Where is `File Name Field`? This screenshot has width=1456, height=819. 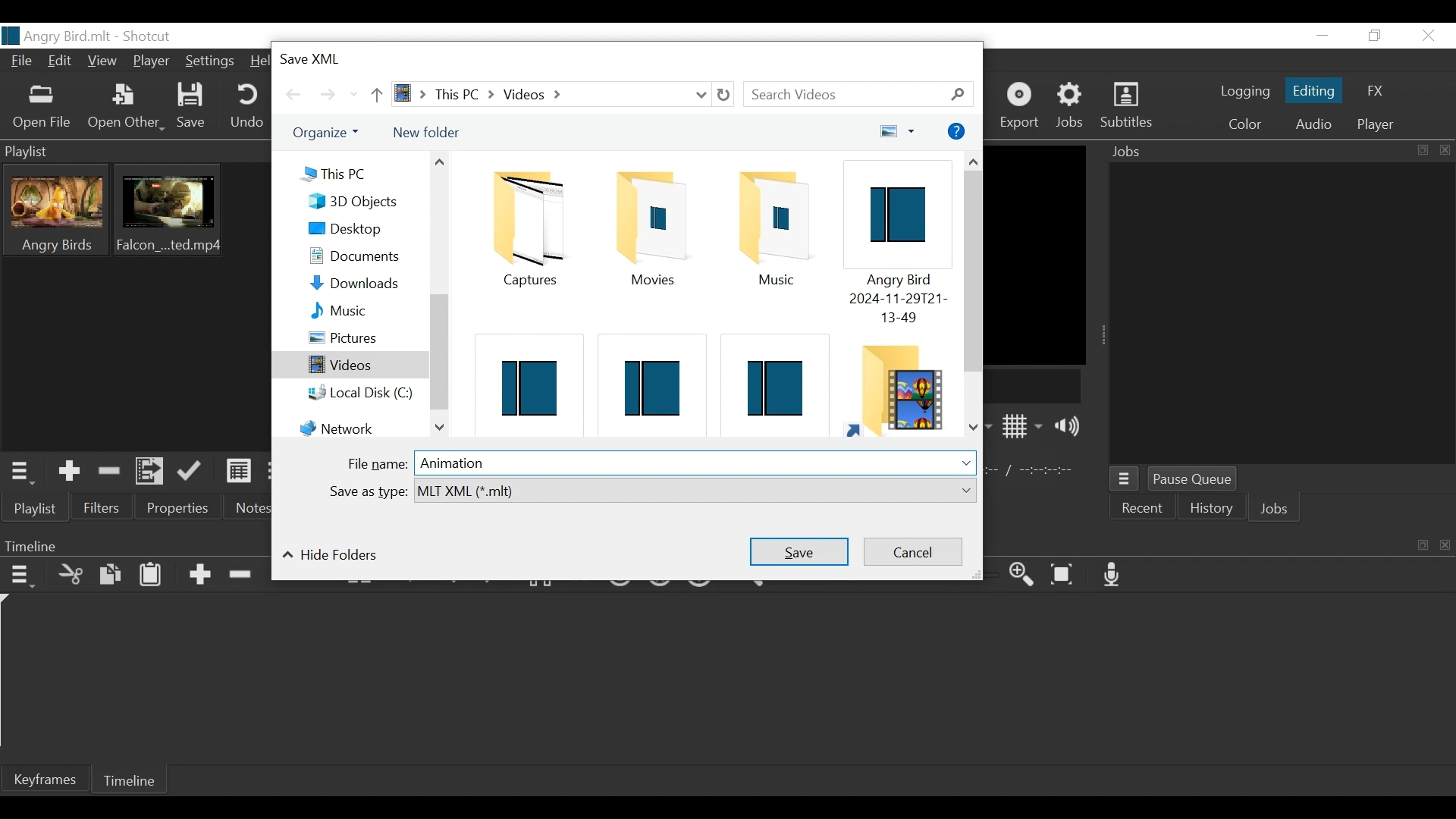 File Name Field is located at coordinates (697, 463).